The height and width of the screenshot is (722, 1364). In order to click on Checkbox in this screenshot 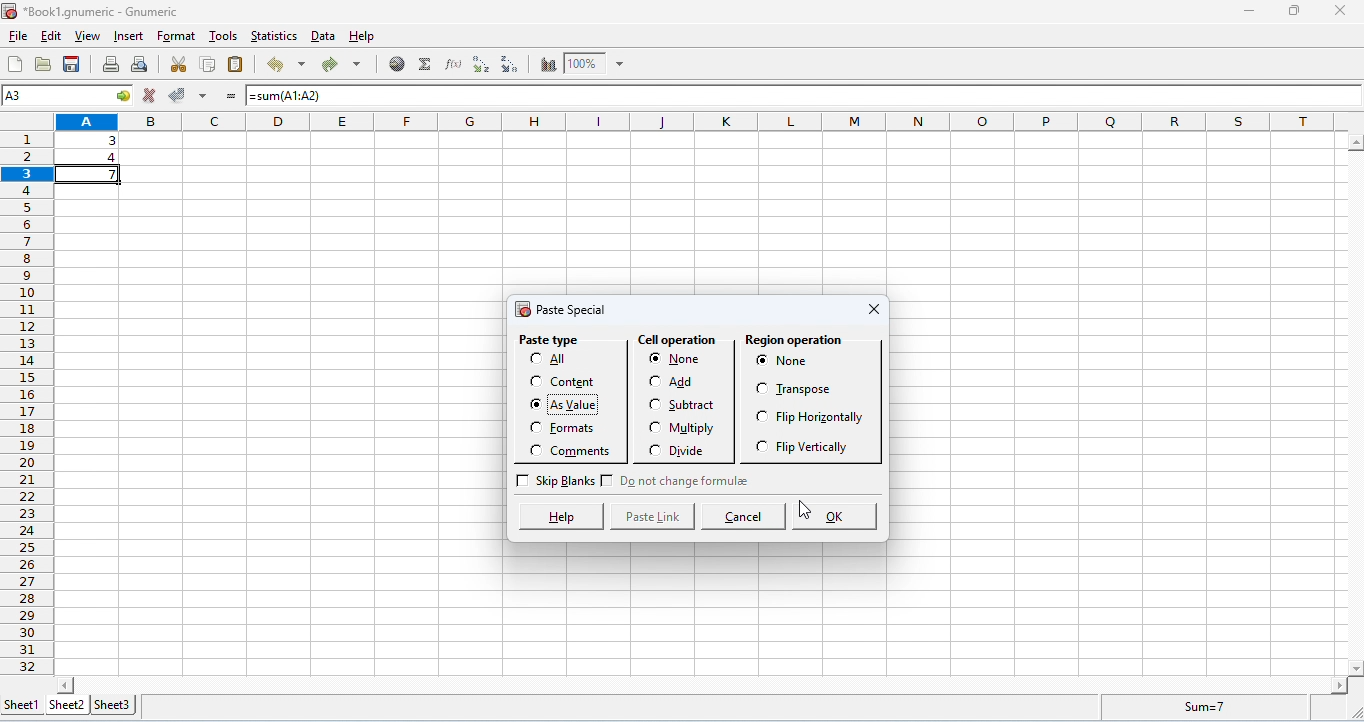, I will do `click(761, 359)`.